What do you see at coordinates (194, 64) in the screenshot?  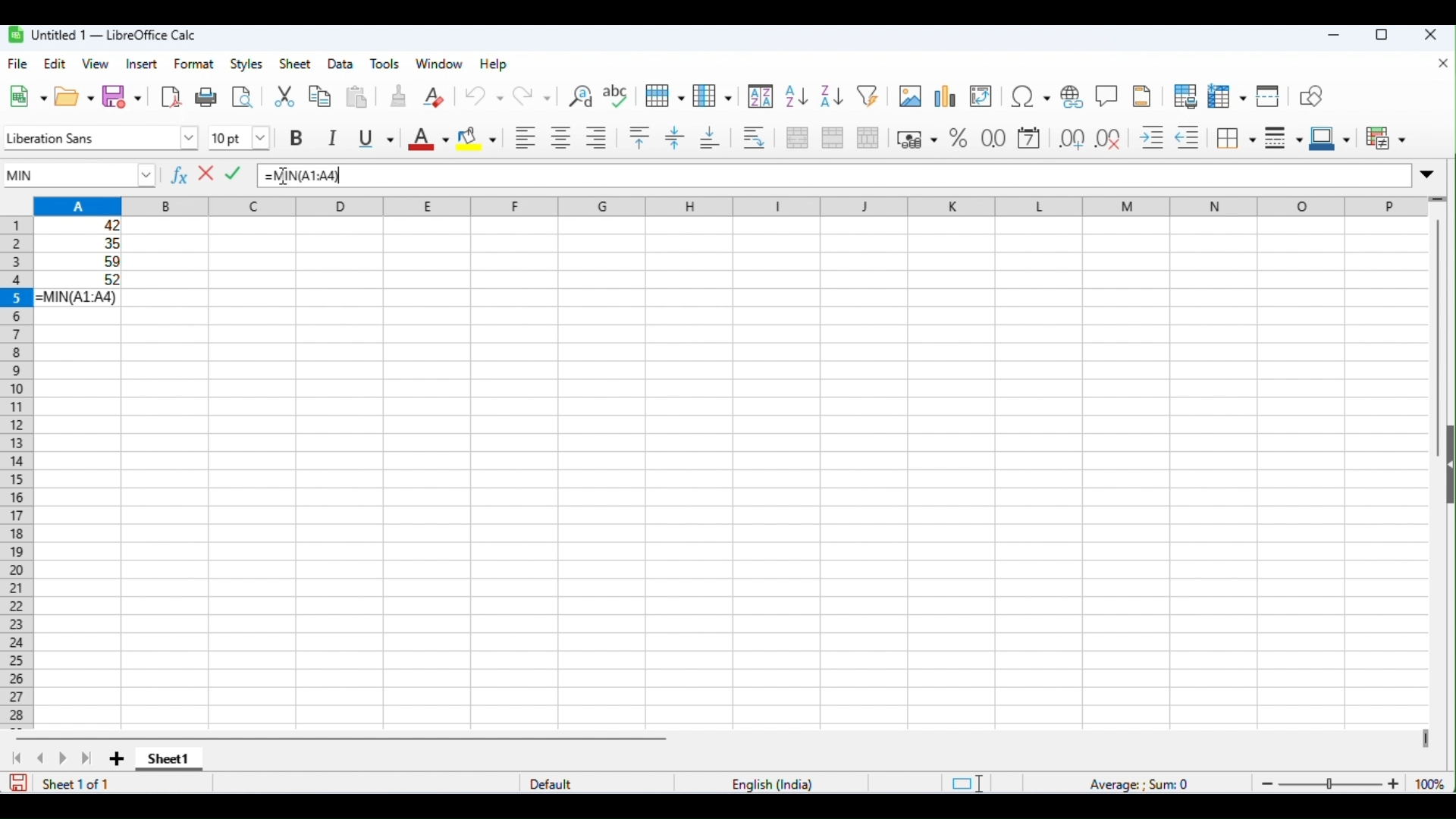 I see `format` at bounding box center [194, 64].